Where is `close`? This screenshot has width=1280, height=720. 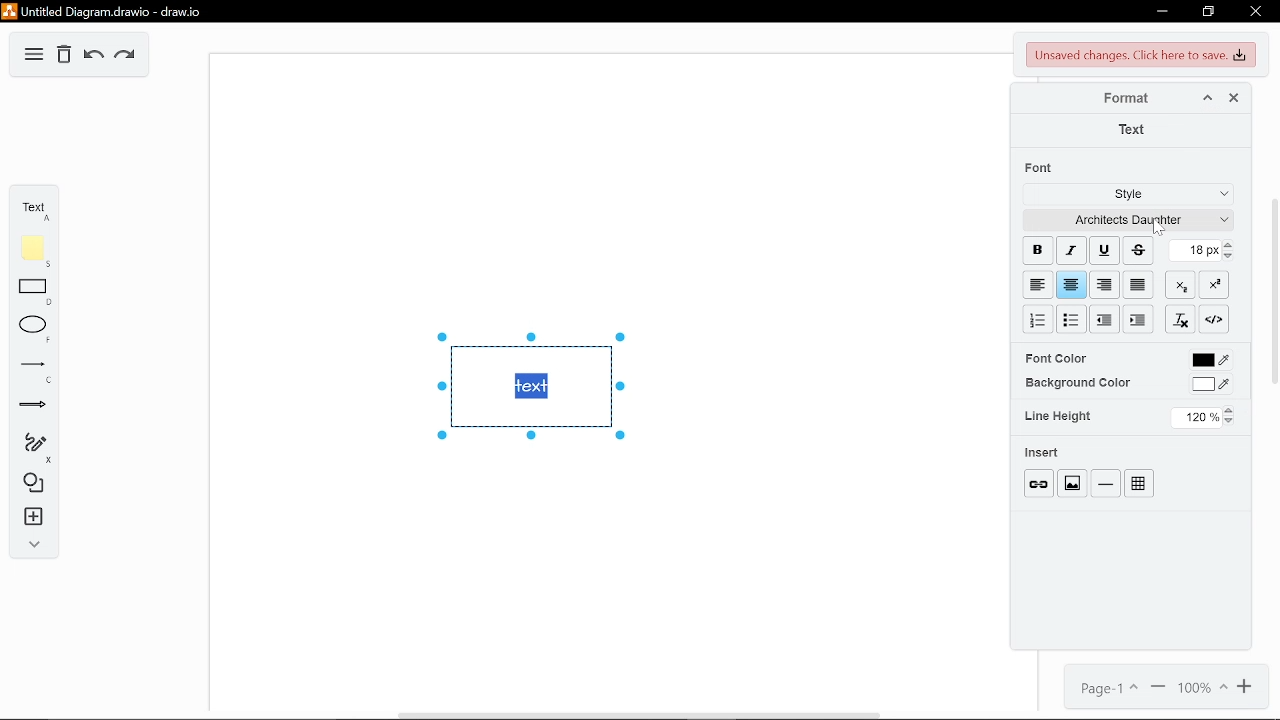
close is located at coordinates (1254, 13).